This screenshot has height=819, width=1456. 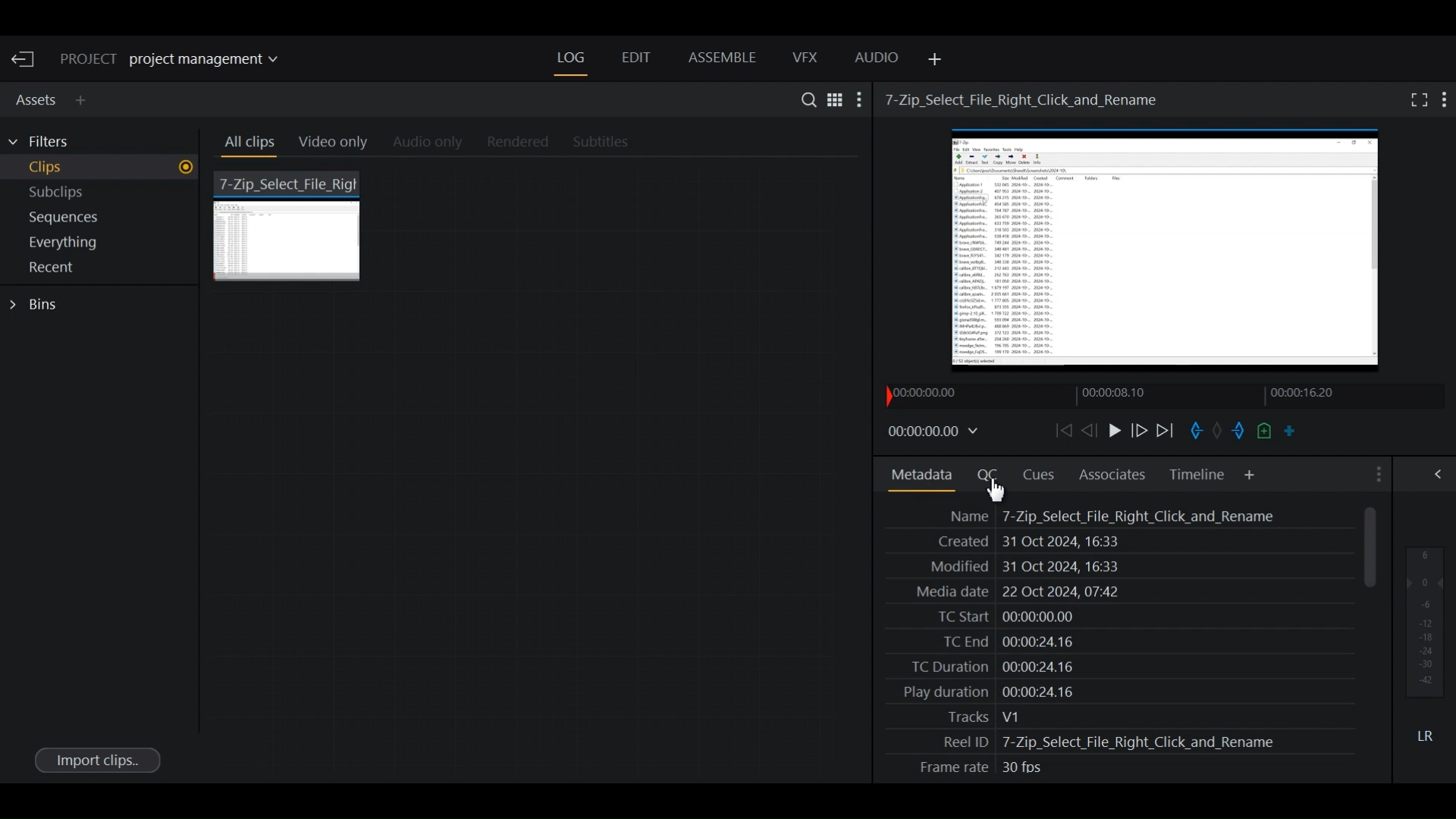 What do you see at coordinates (833, 99) in the screenshot?
I see `Toggle between list and Tile View` at bounding box center [833, 99].